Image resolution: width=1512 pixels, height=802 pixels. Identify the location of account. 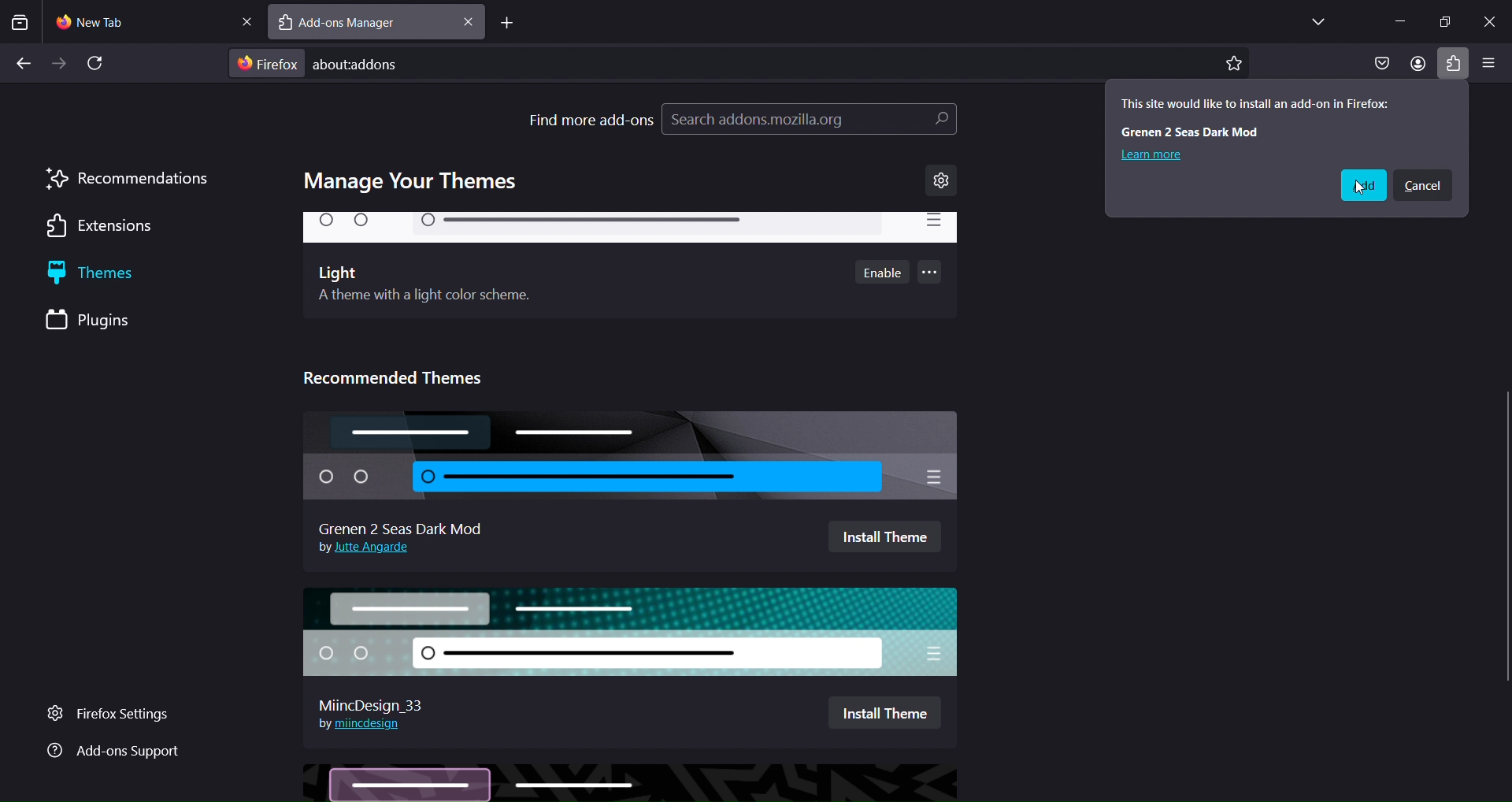
(1417, 65).